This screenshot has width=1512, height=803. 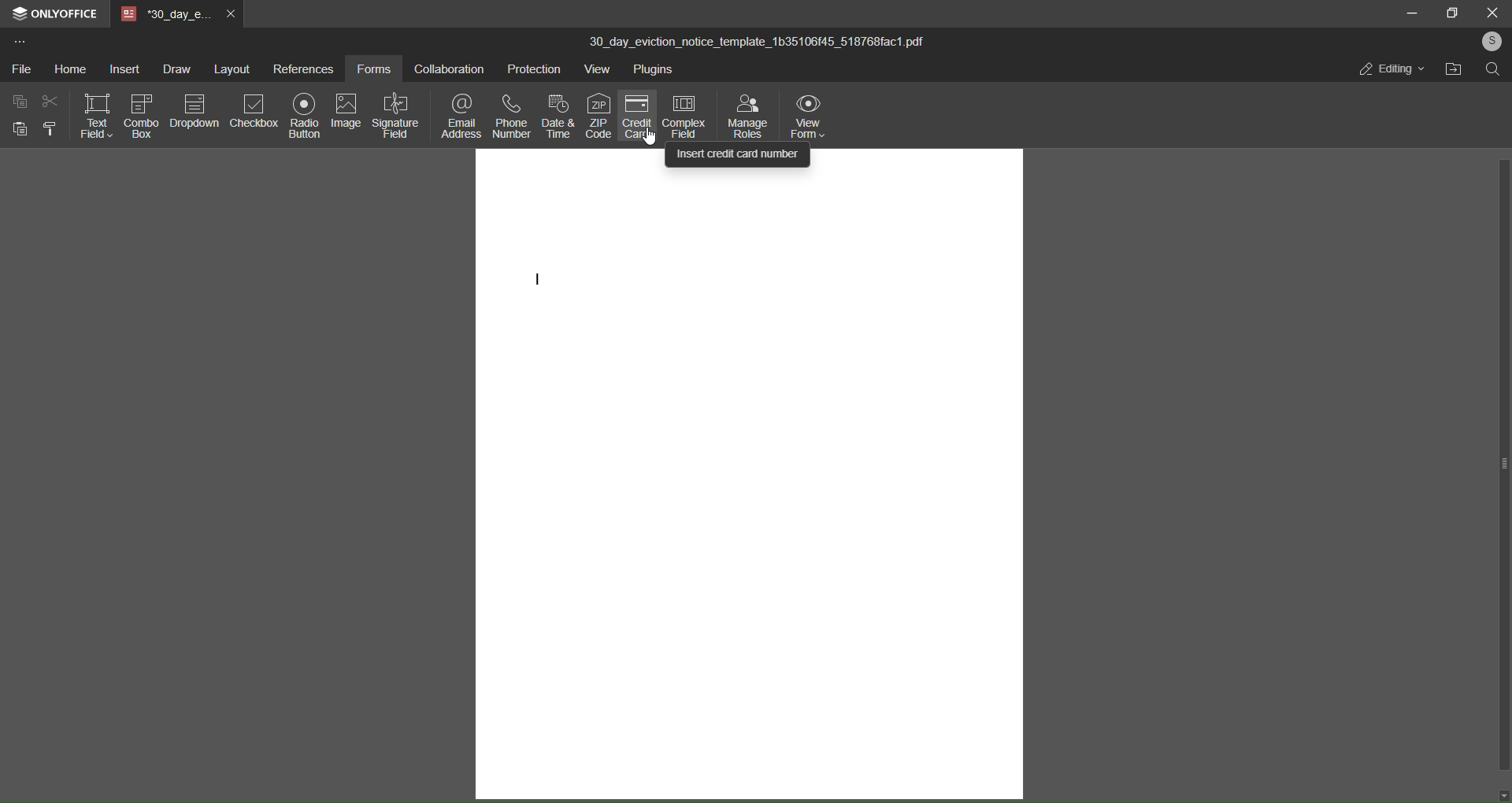 What do you see at coordinates (559, 116) in the screenshot?
I see `date and time` at bounding box center [559, 116].